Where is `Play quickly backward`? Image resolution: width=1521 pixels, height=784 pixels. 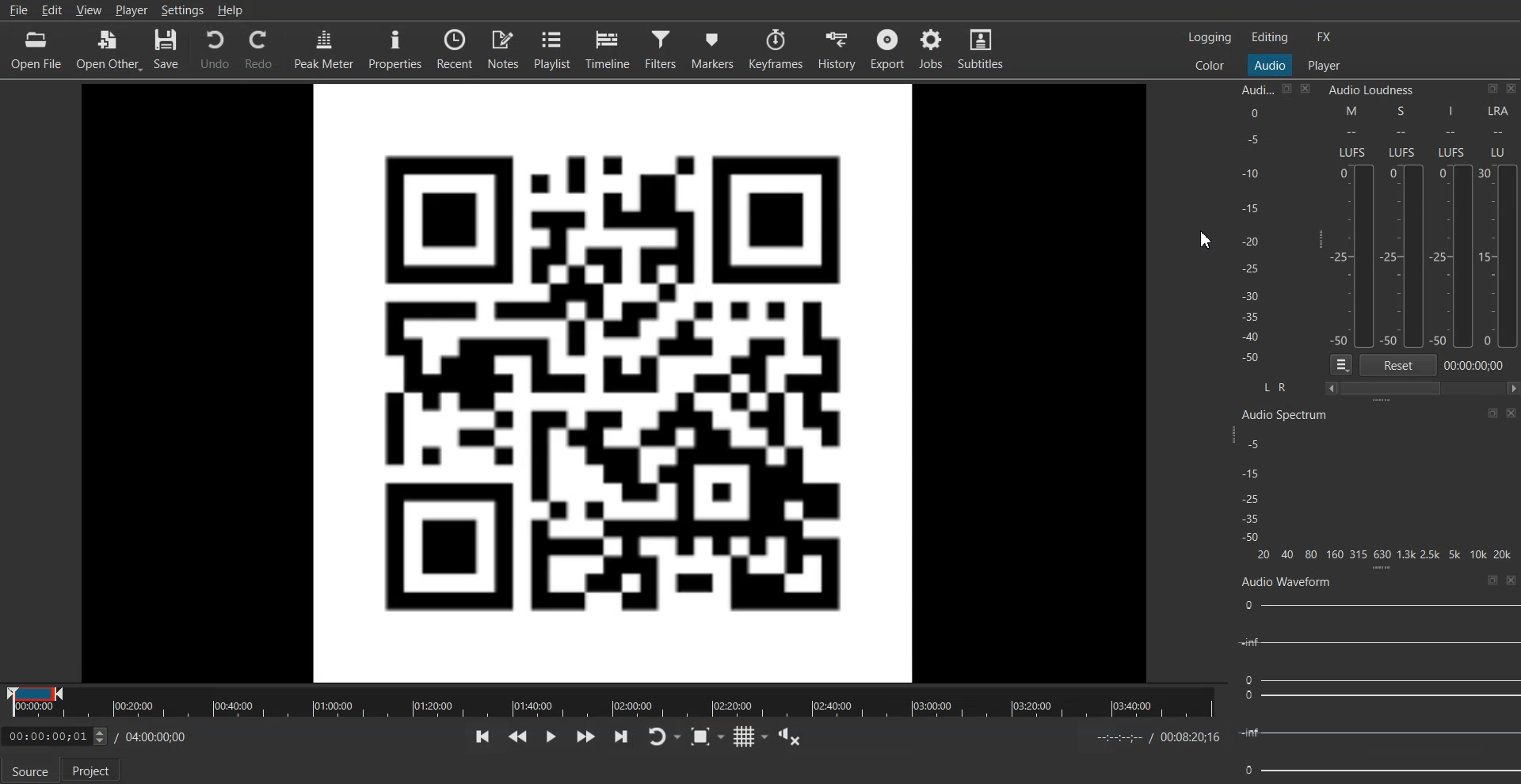 Play quickly backward is located at coordinates (518, 736).